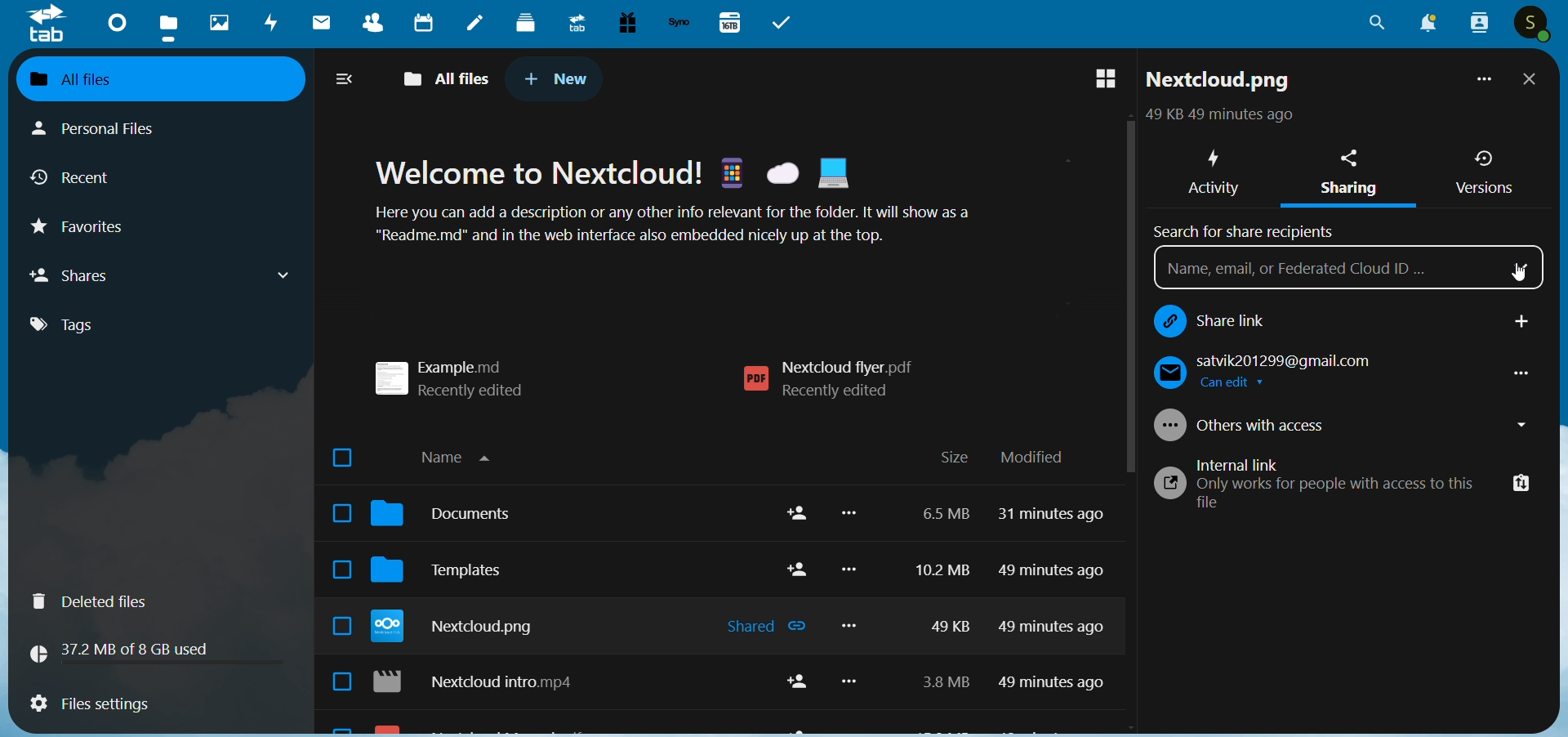  Describe the element at coordinates (1523, 265) in the screenshot. I see `dropdown` at that location.